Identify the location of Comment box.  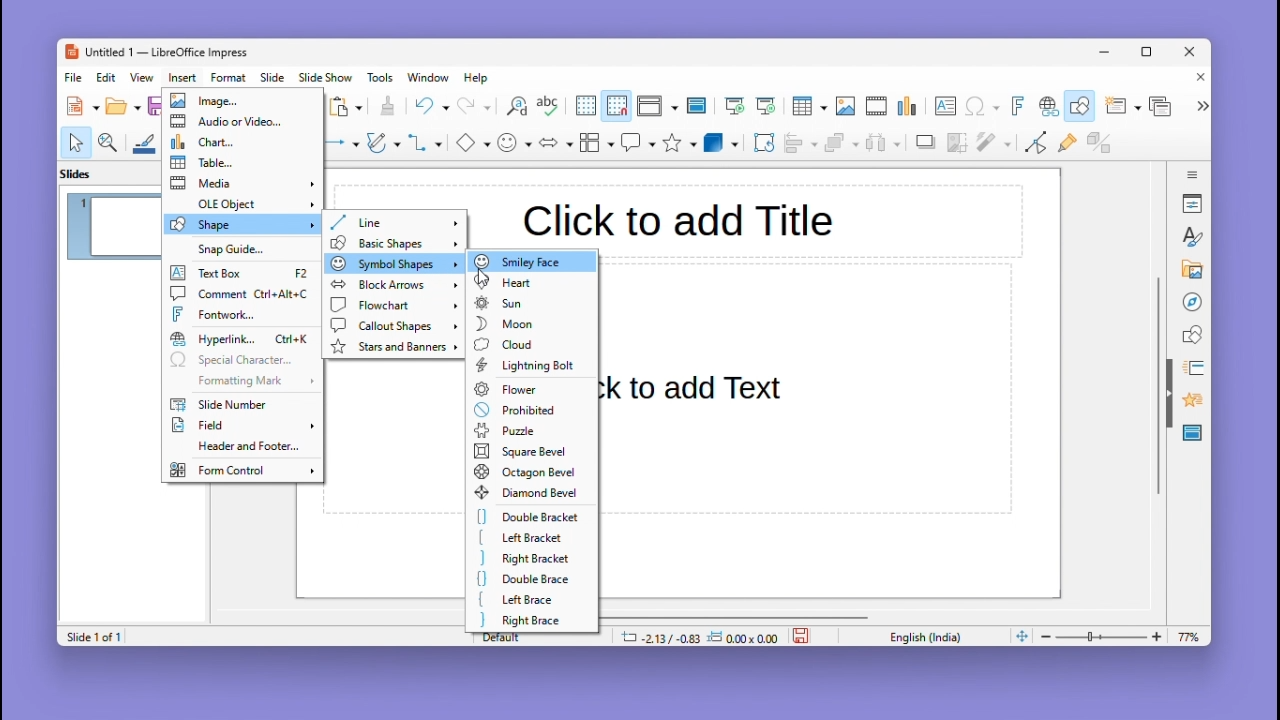
(638, 142).